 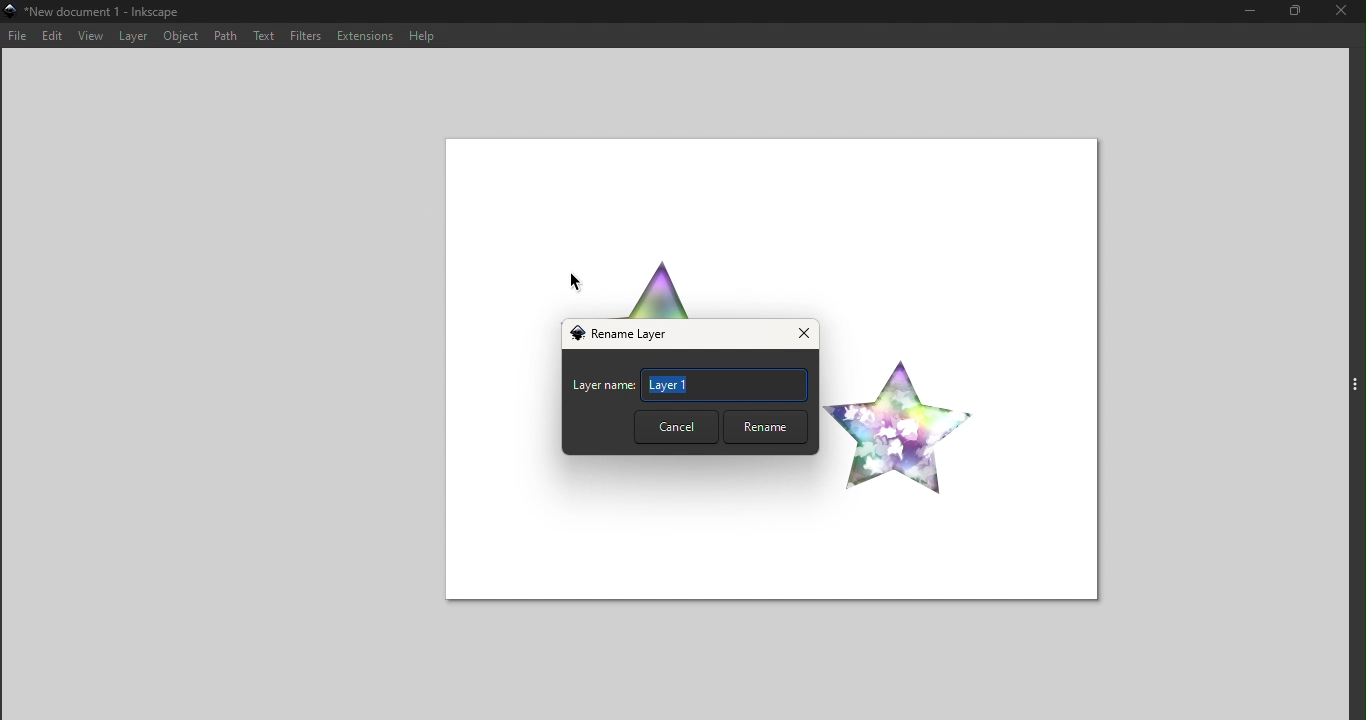 I want to click on Rename layer, so click(x=627, y=335).